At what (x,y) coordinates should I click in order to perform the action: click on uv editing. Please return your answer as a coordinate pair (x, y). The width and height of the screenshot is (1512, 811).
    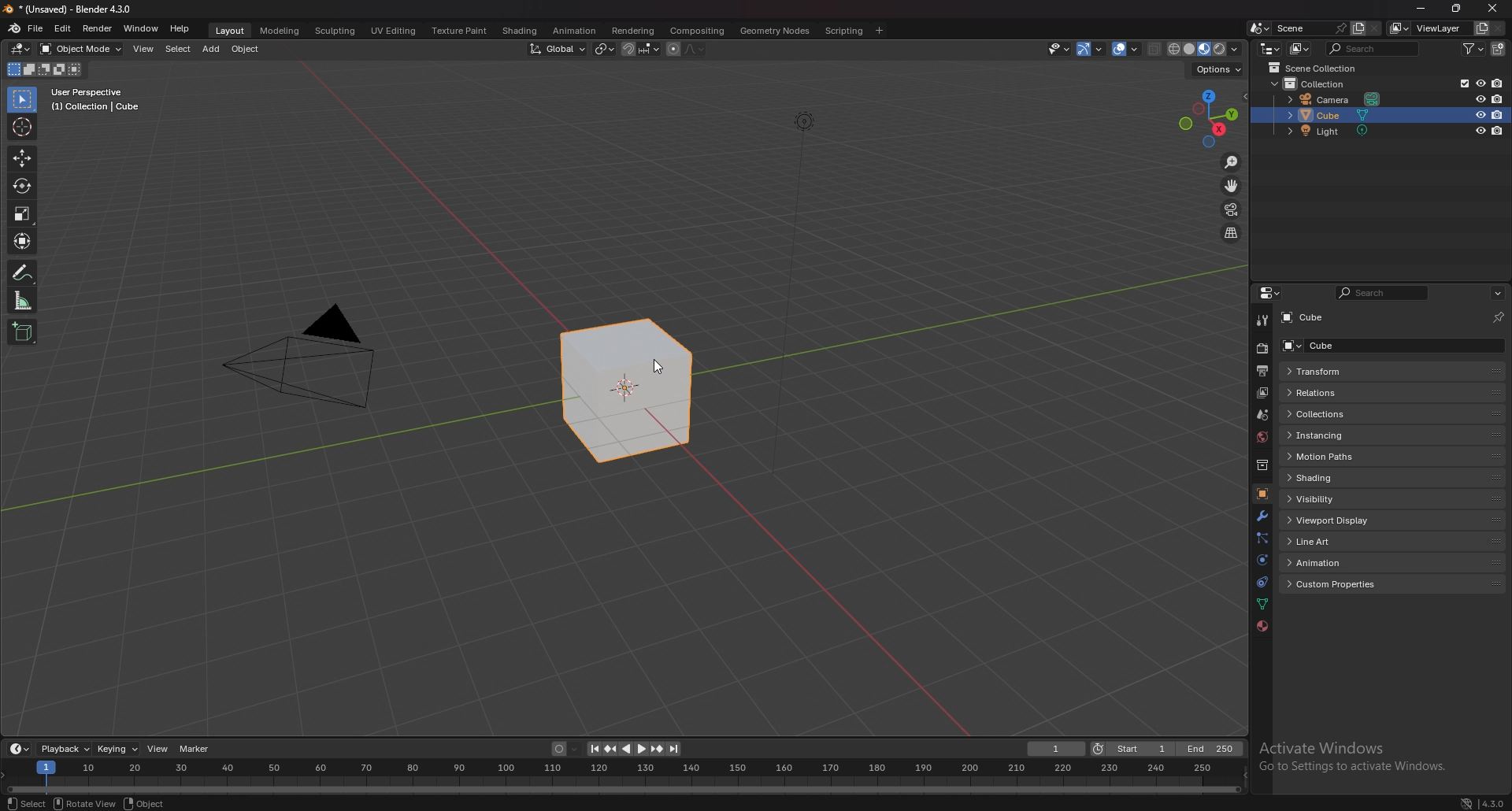
    Looking at the image, I should click on (394, 31).